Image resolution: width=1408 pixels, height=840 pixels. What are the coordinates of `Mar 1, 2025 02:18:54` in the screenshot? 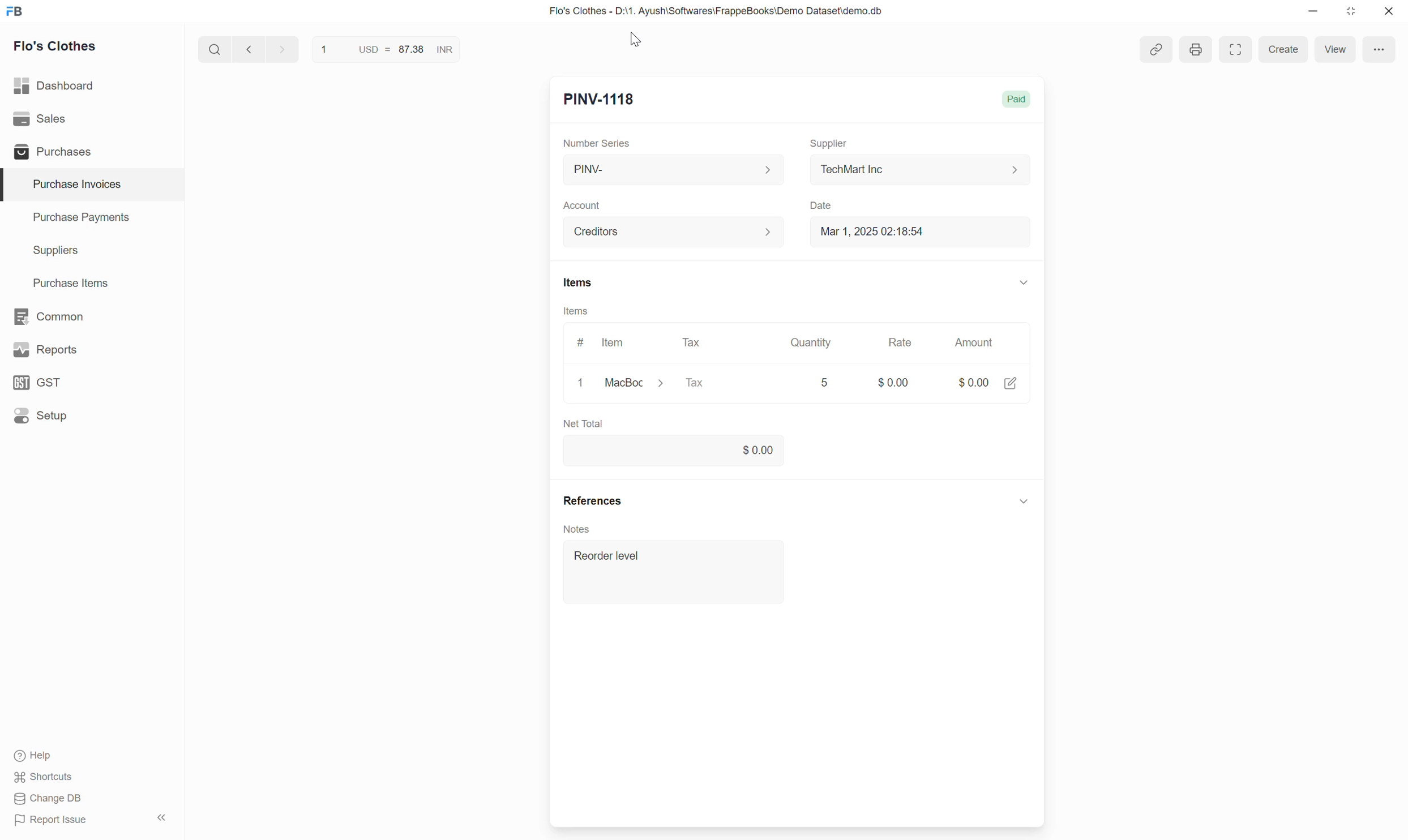 It's located at (921, 231).